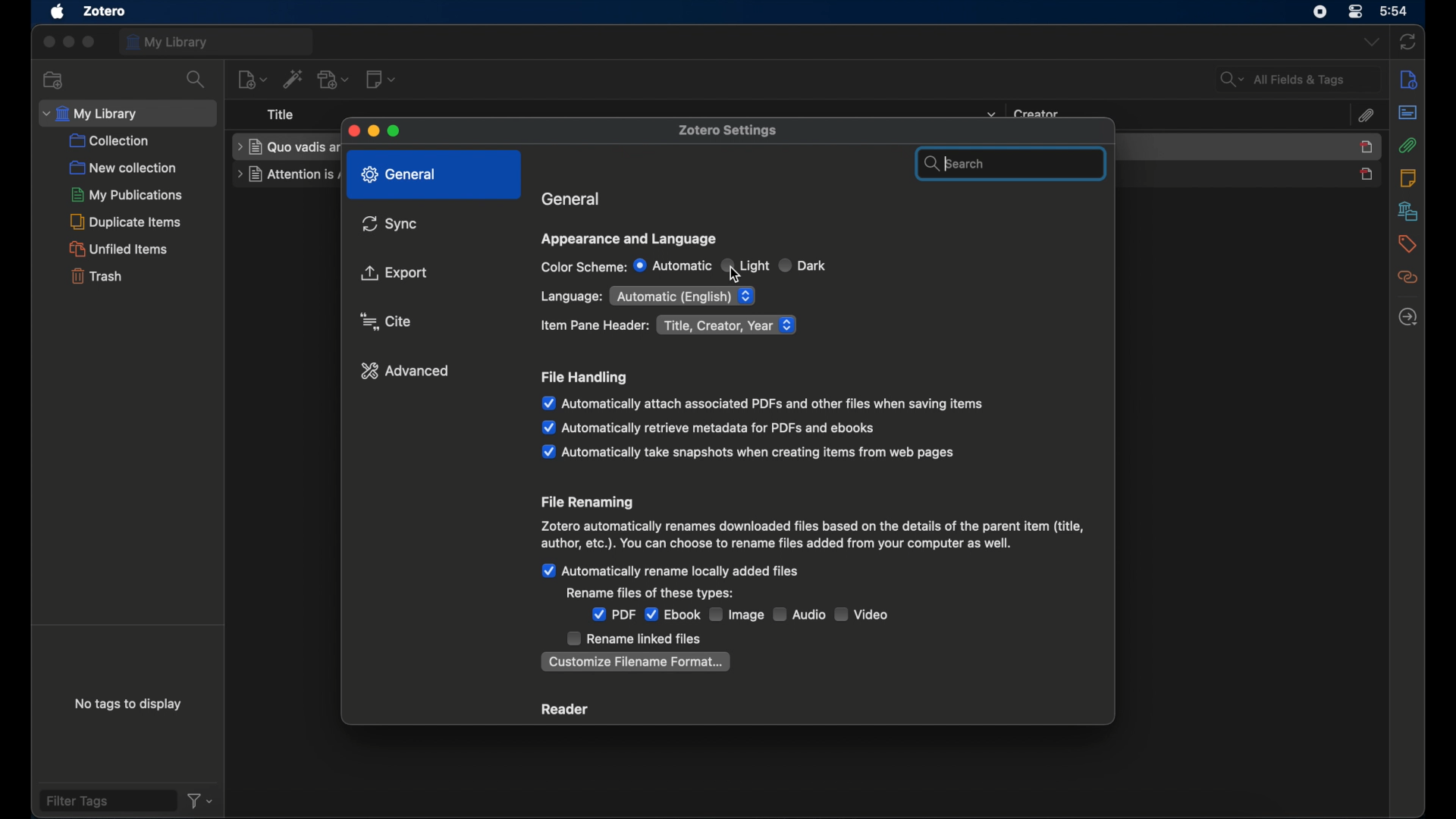 Image resolution: width=1456 pixels, height=819 pixels. What do you see at coordinates (1408, 112) in the screenshot?
I see `abstract` at bounding box center [1408, 112].